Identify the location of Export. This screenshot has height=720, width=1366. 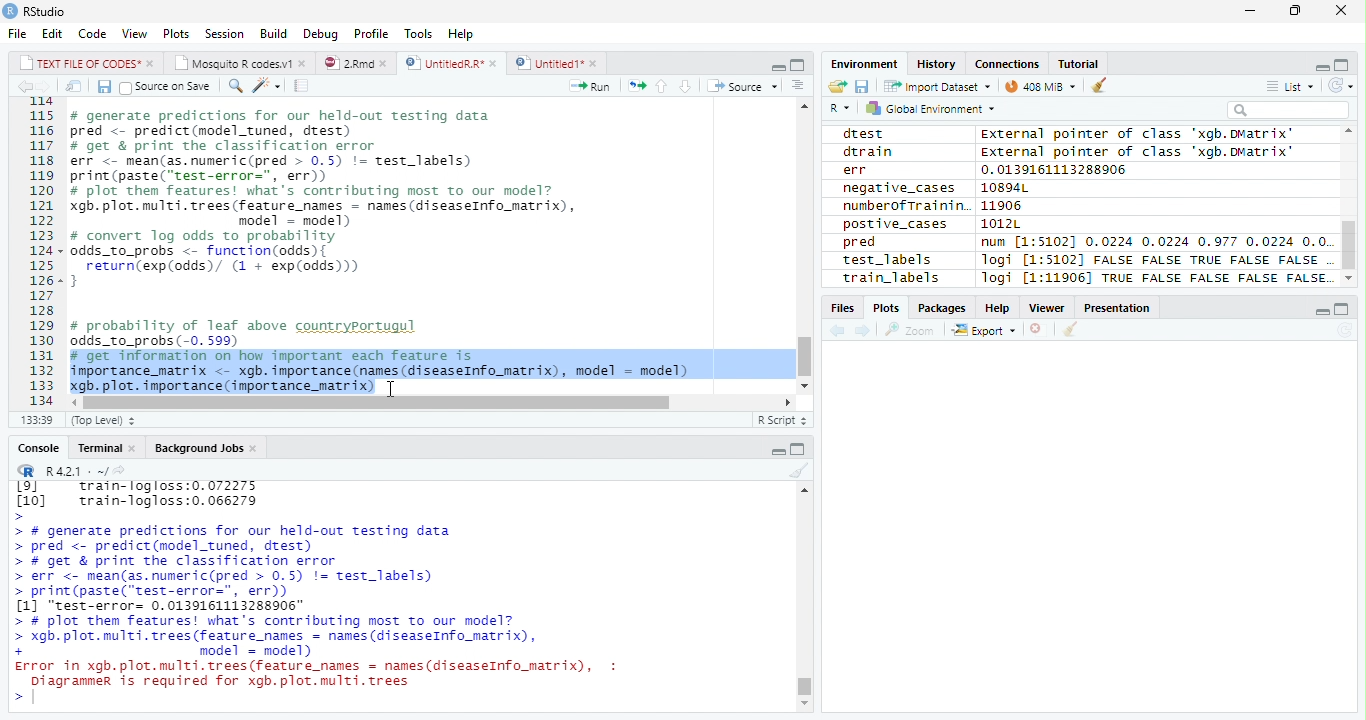
(984, 330).